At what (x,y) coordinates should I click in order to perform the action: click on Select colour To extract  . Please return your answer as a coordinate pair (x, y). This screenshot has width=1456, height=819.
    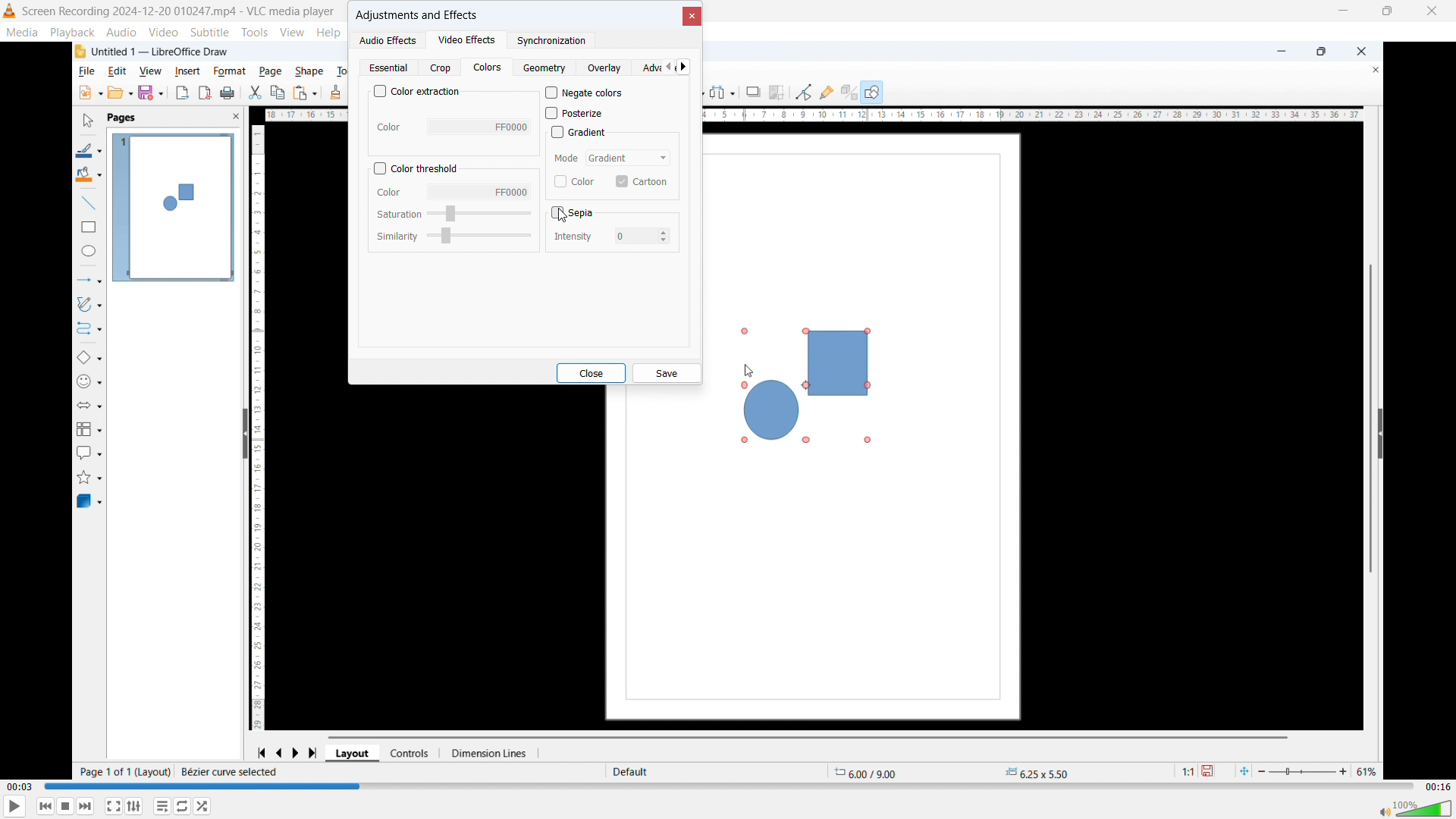
    Looking at the image, I should click on (482, 126).